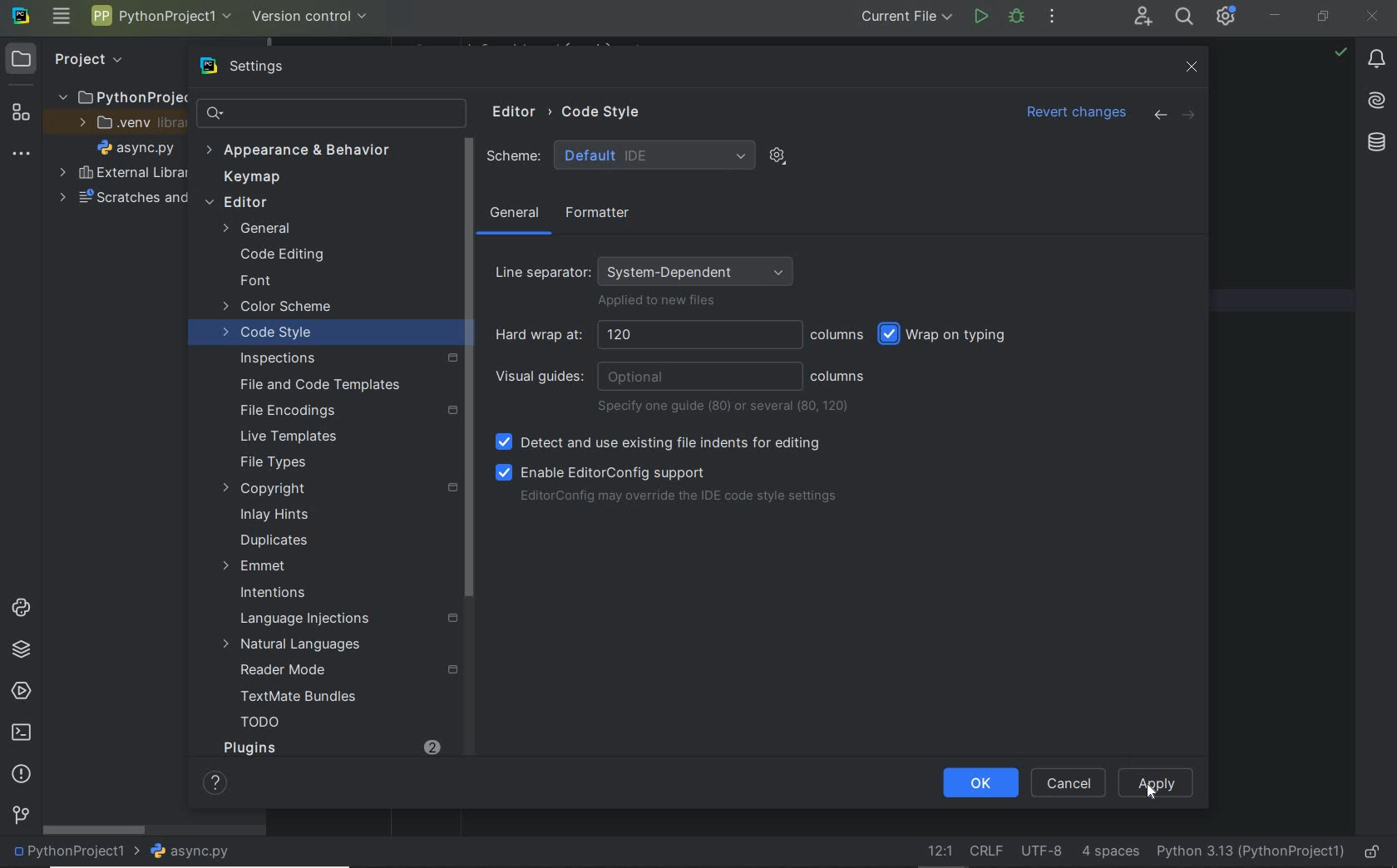  What do you see at coordinates (1376, 101) in the screenshot?
I see `AI Assistant` at bounding box center [1376, 101].